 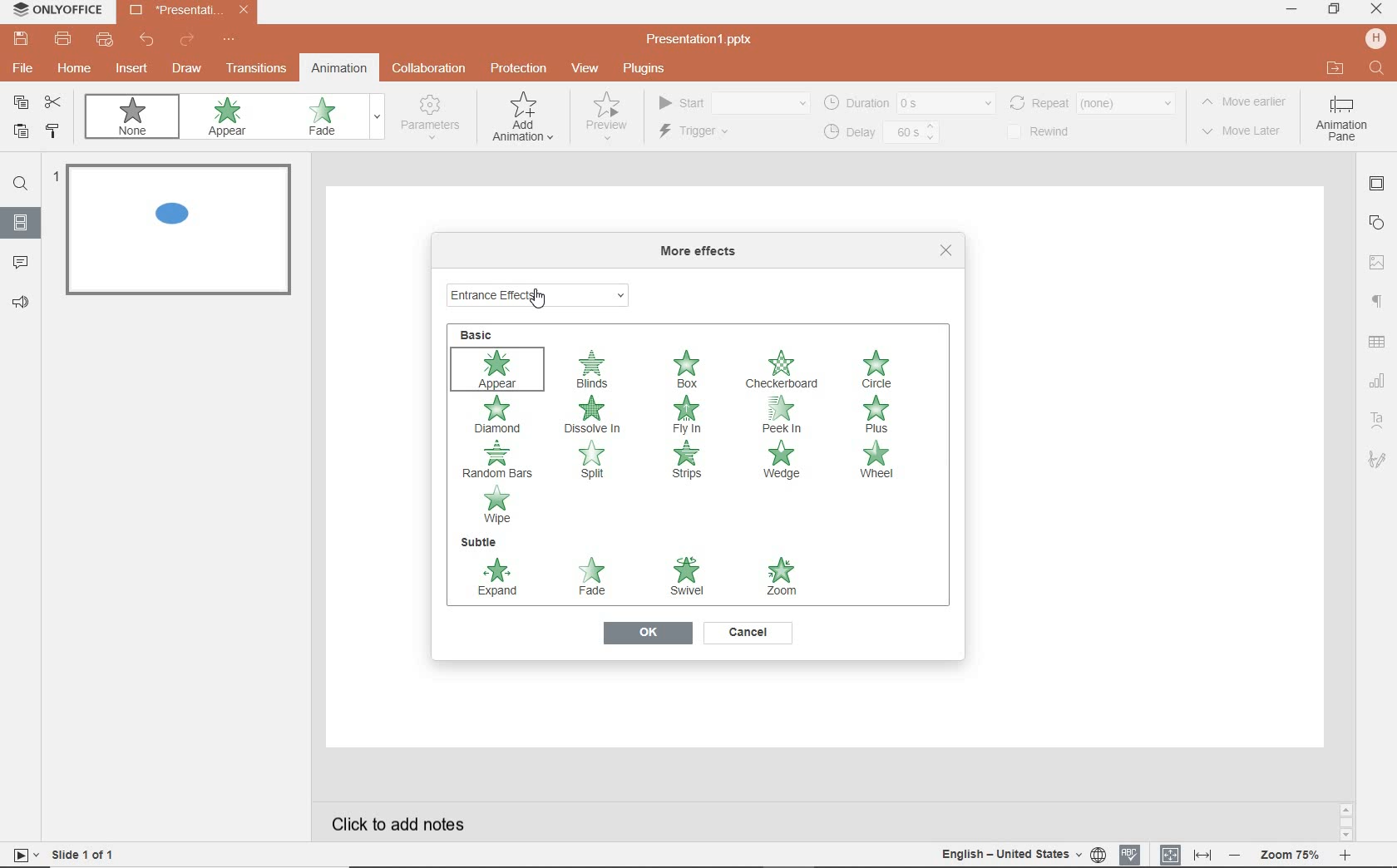 I want to click on undo, so click(x=148, y=42).